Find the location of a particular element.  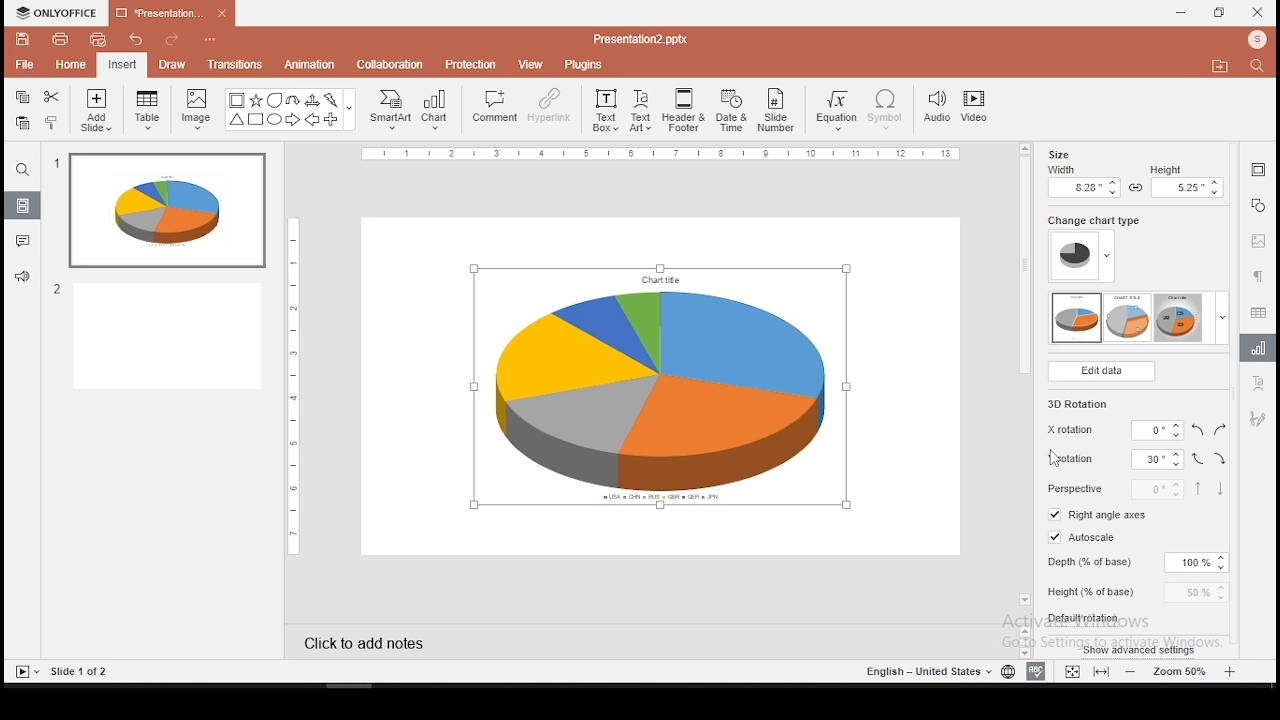

y rotation is located at coordinates (1112, 461).